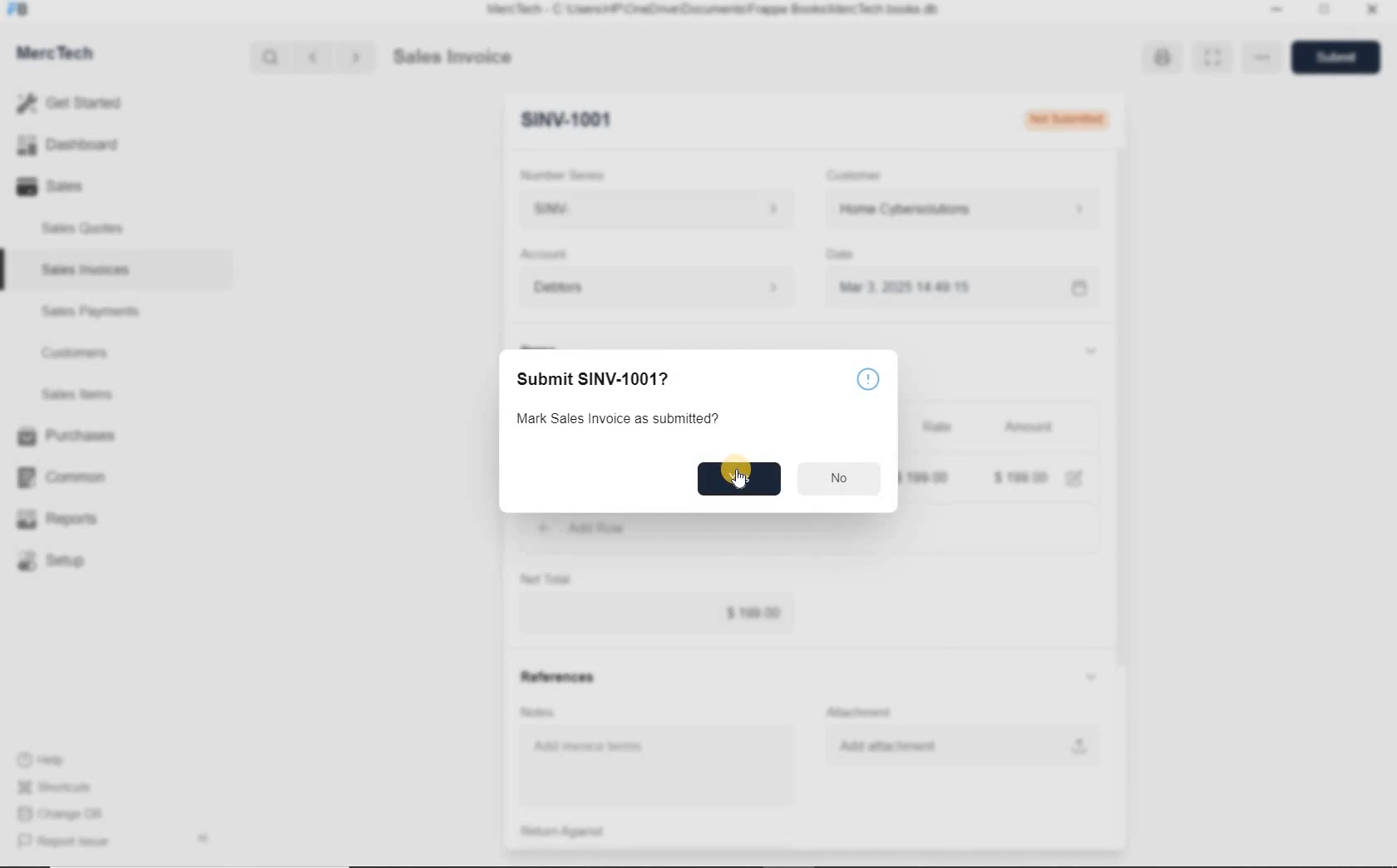  Describe the element at coordinates (910, 287) in the screenshot. I see `Mar 3, 2025 14:49:15` at that location.